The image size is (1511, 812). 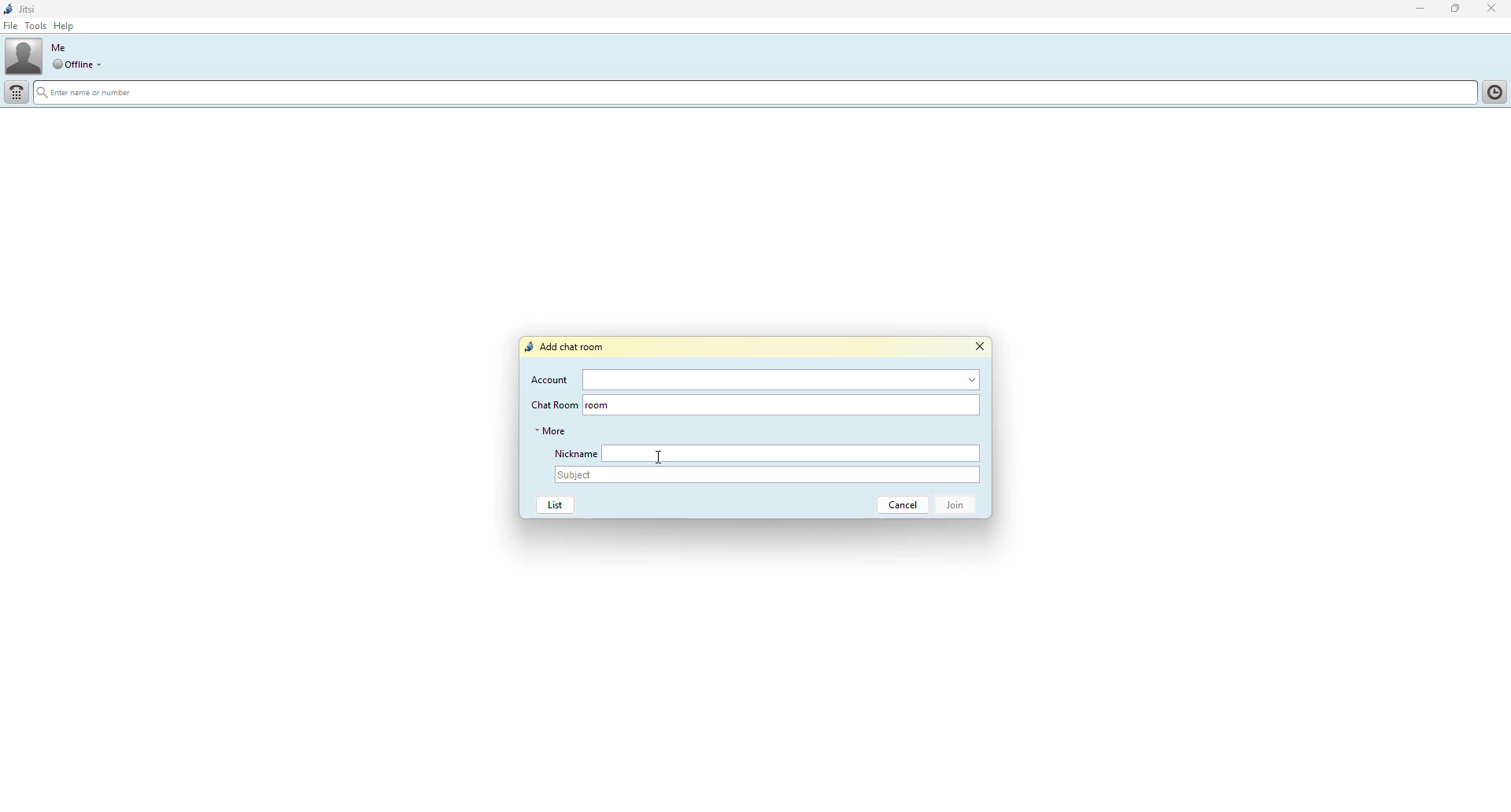 I want to click on maximize, so click(x=1454, y=9).